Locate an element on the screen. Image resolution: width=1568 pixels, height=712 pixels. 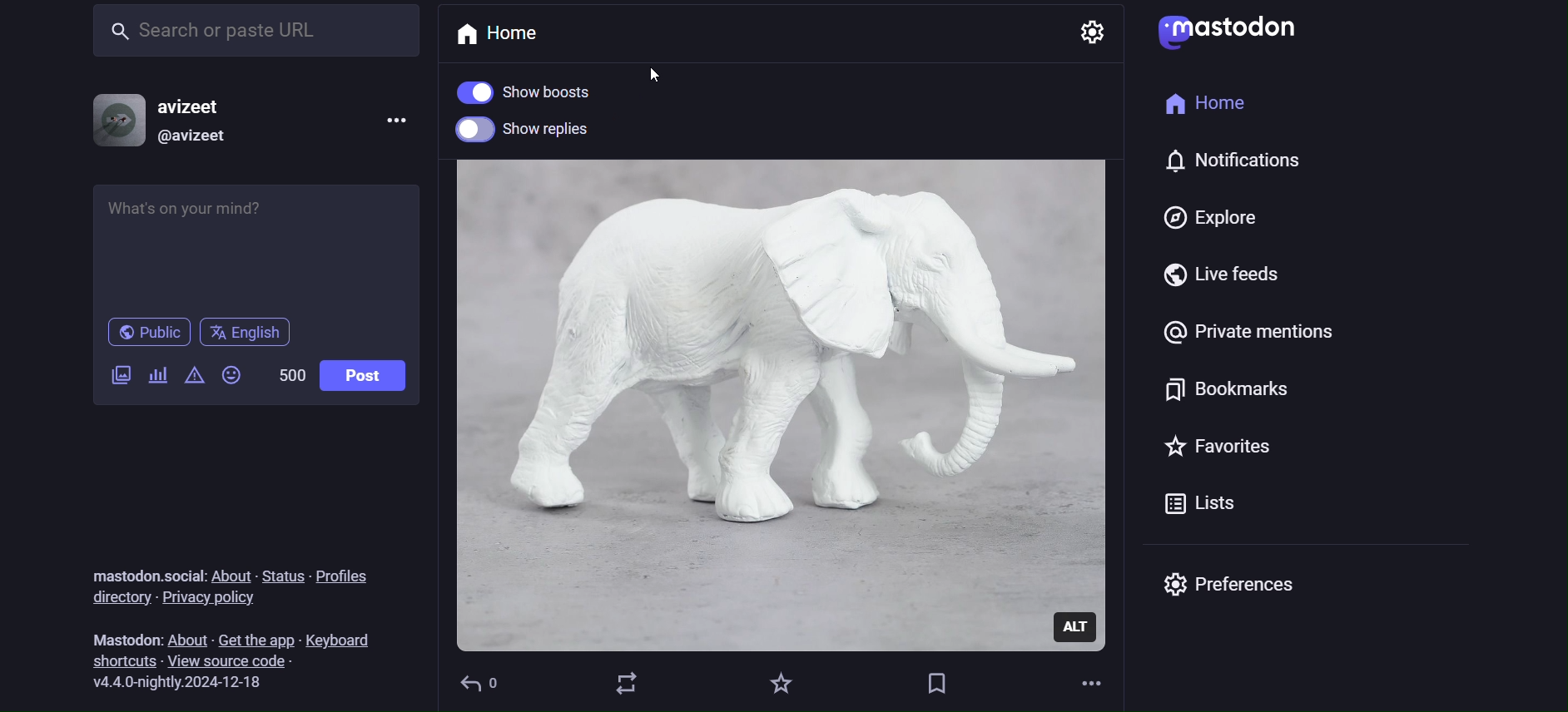
home is located at coordinates (512, 32).